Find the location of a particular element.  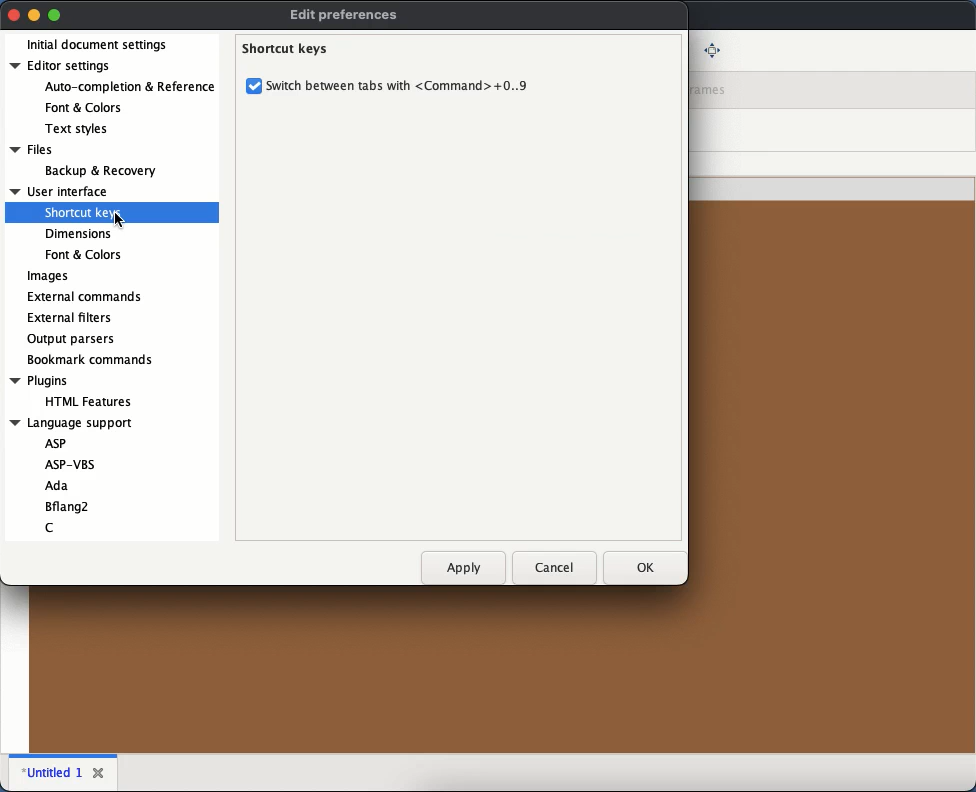

bookmark commands is located at coordinates (91, 359).